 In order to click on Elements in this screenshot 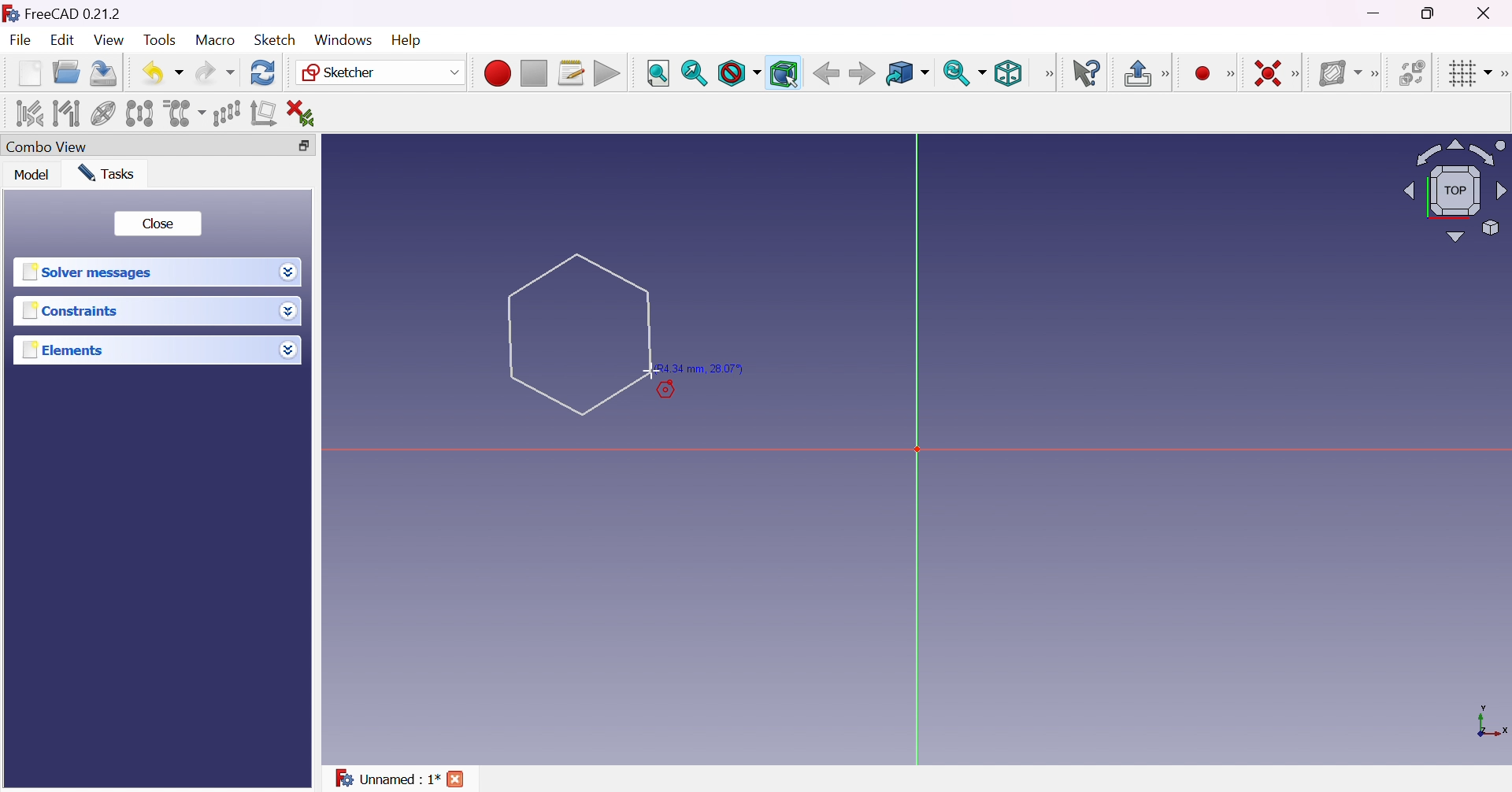, I will do `click(66, 350)`.